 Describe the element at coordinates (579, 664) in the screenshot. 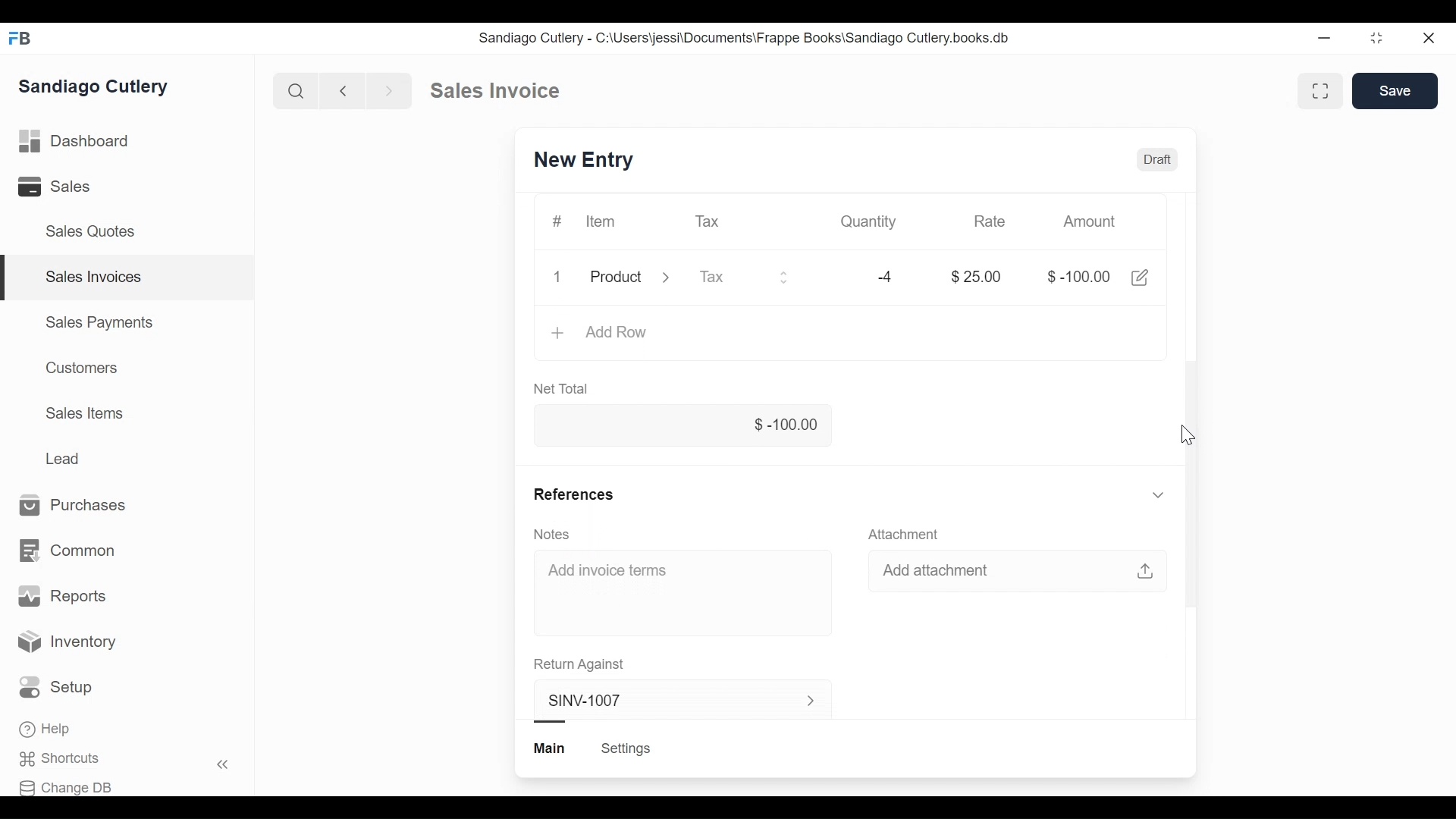

I see `Return Against` at that location.